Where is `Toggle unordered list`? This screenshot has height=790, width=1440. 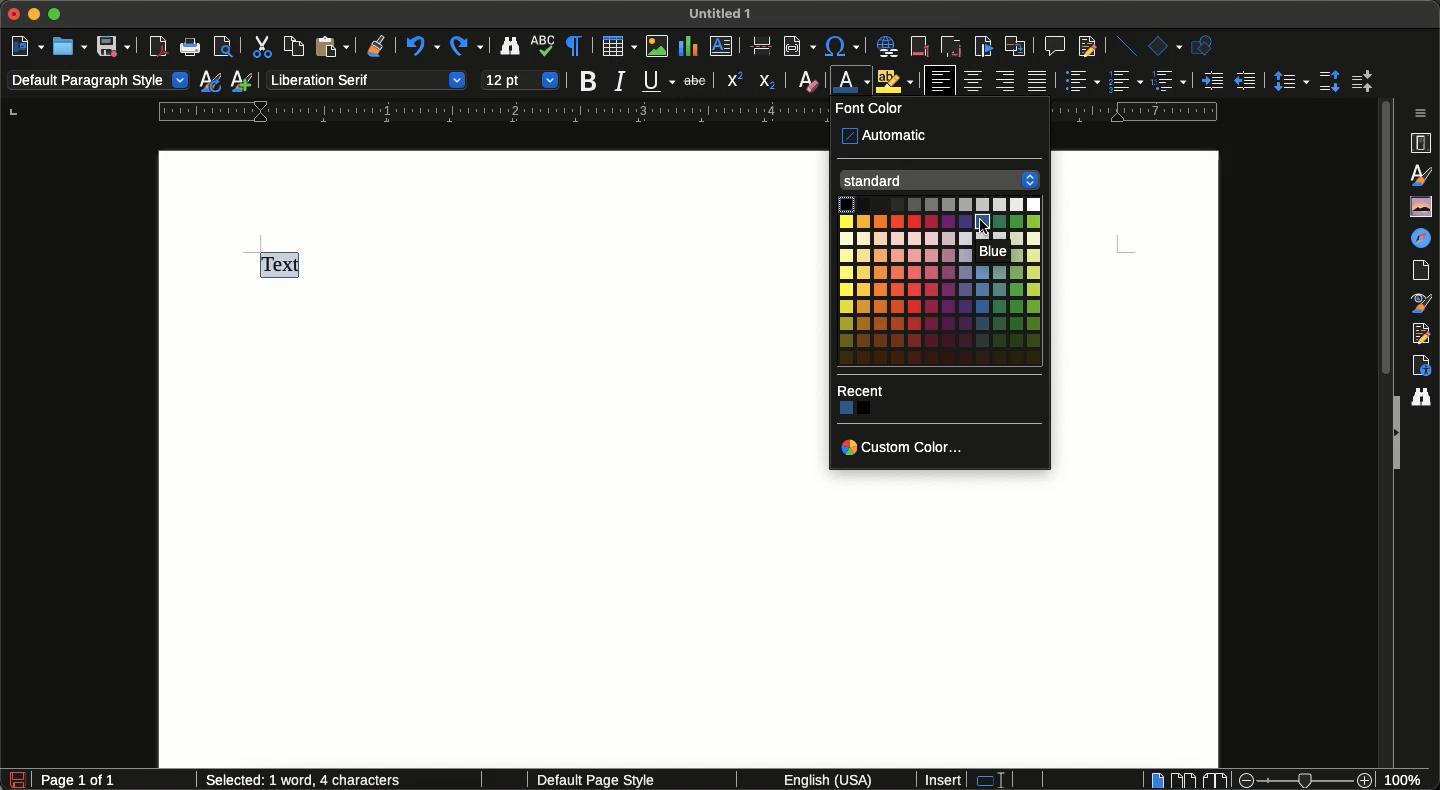 Toggle unordered list is located at coordinates (1078, 81).